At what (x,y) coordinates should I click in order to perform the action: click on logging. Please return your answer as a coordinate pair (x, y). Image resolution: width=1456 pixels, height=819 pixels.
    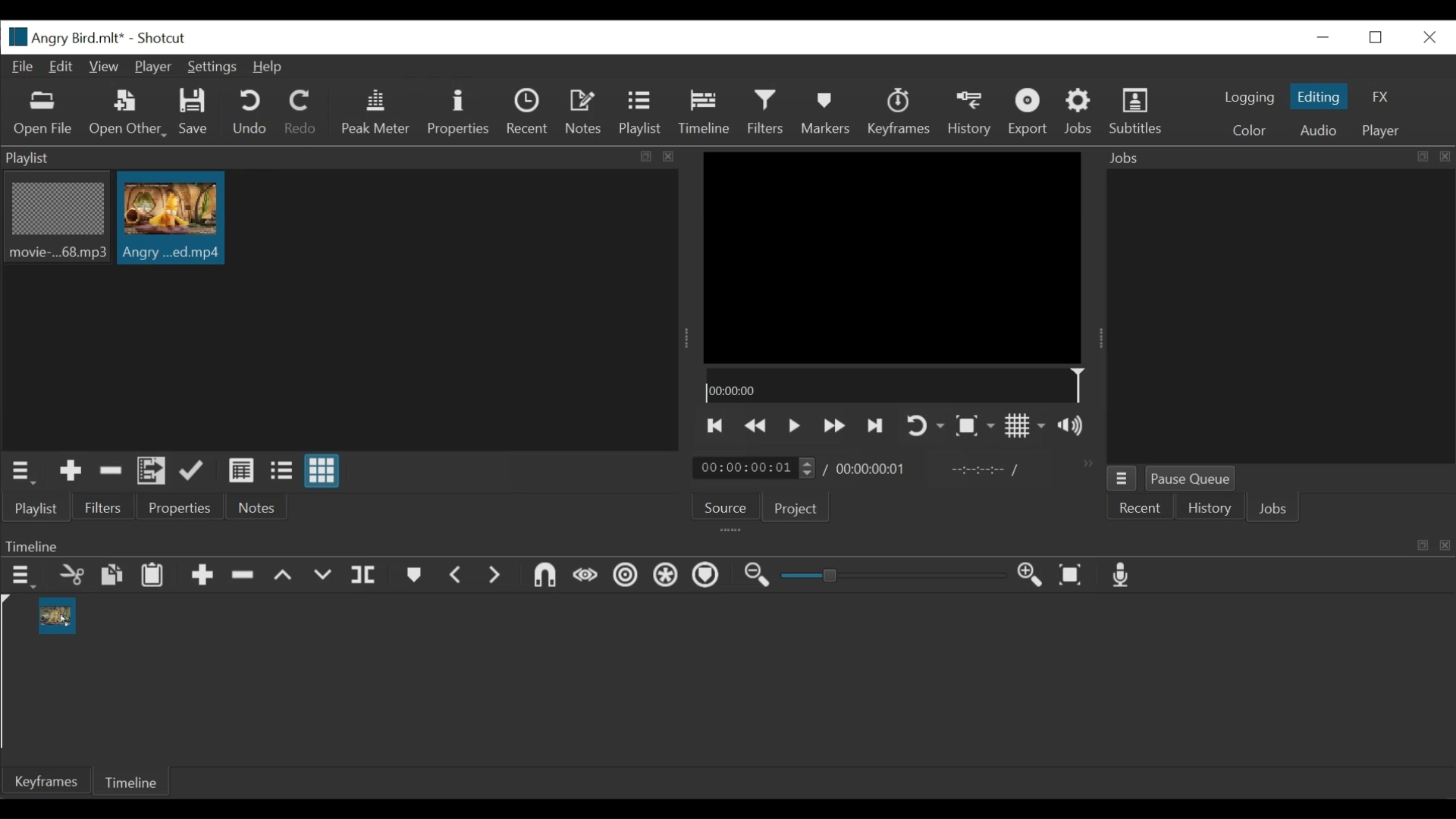
    Looking at the image, I should click on (1245, 98).